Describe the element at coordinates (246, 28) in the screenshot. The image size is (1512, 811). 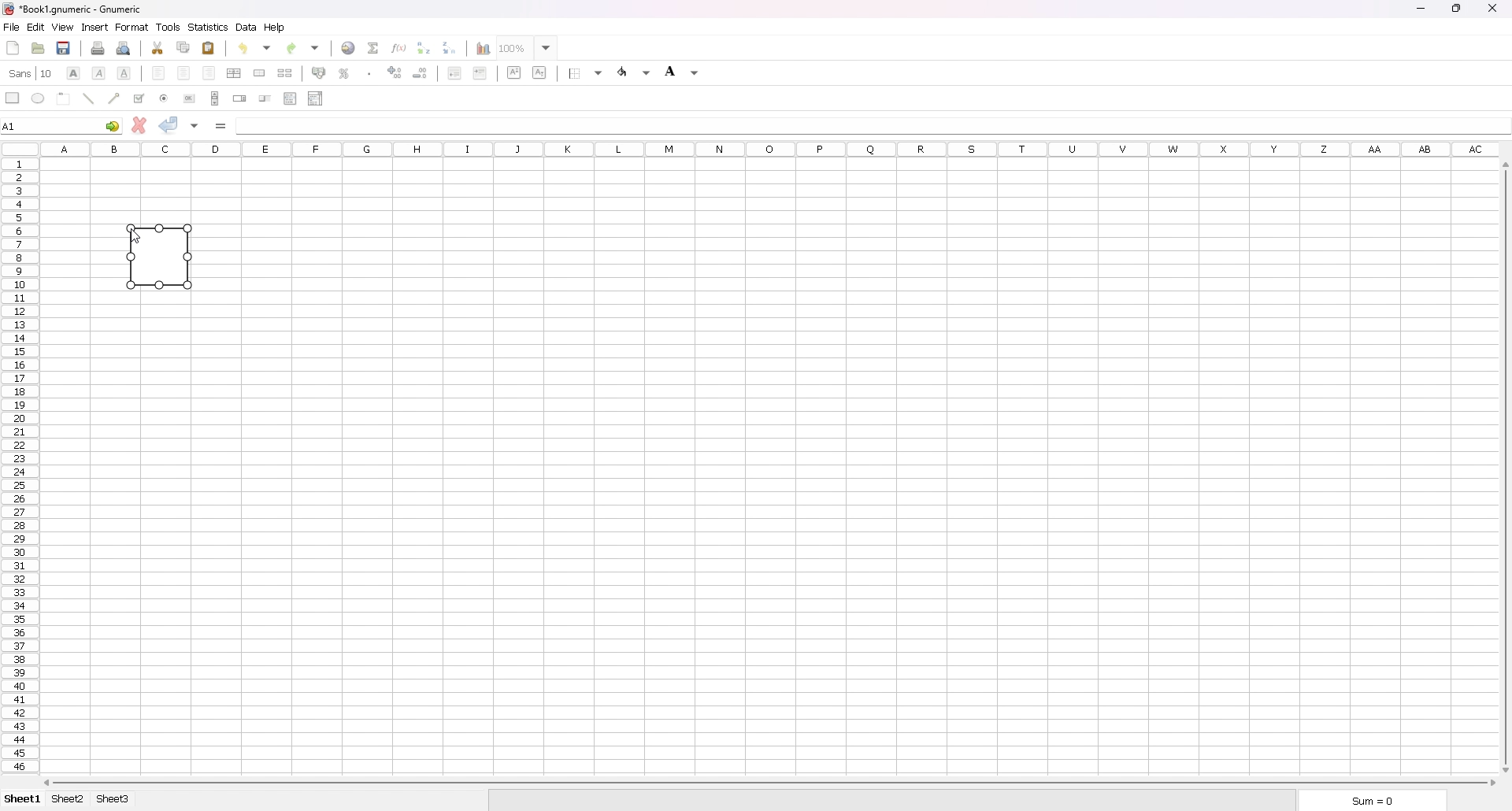
I see `data` at that location.